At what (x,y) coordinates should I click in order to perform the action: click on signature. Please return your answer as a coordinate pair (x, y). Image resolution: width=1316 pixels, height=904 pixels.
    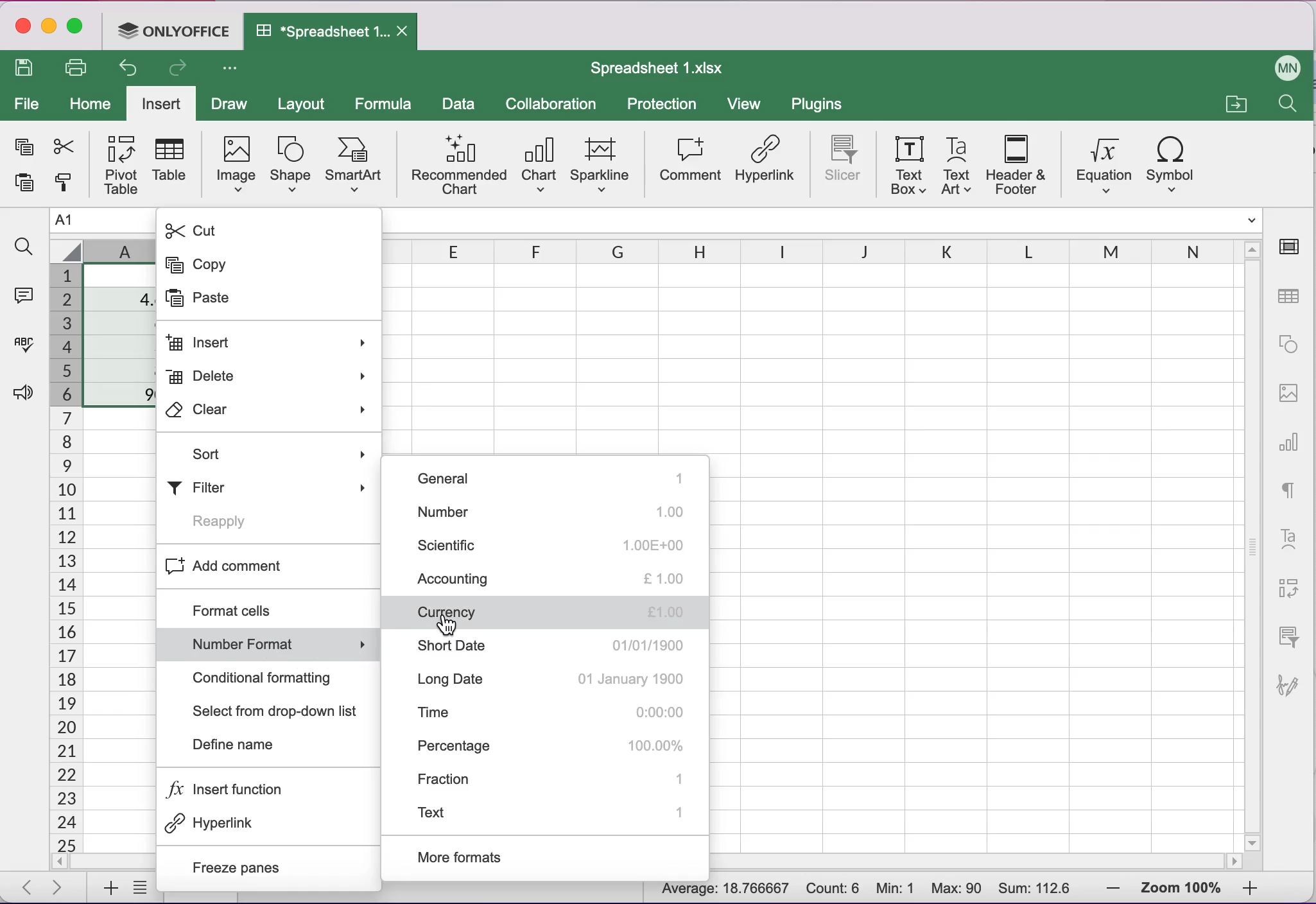
    Looking at the image, I should click on (1290, 688).